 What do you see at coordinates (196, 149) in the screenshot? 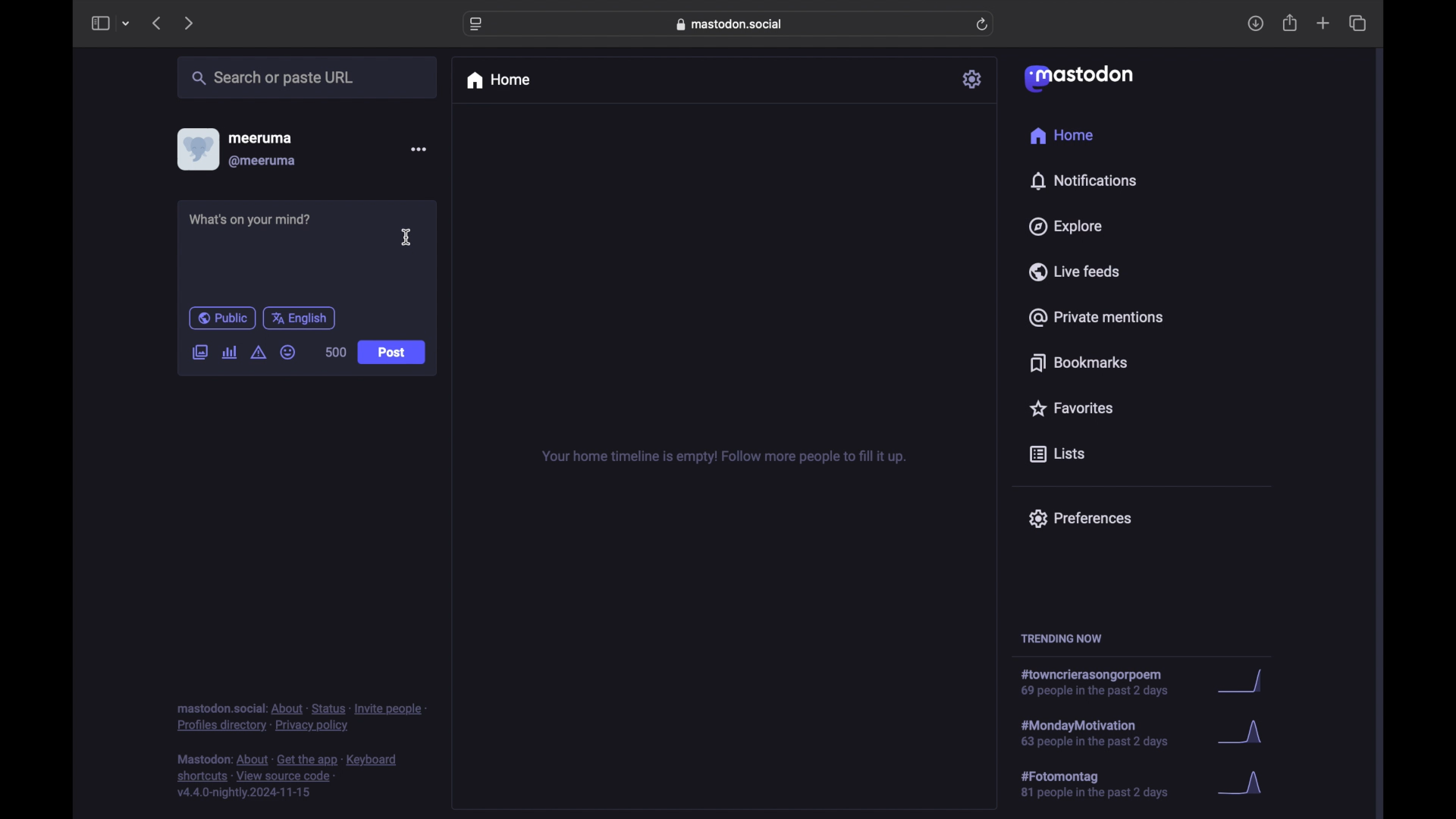
I see `display picture` at bounding box center [196, 149].